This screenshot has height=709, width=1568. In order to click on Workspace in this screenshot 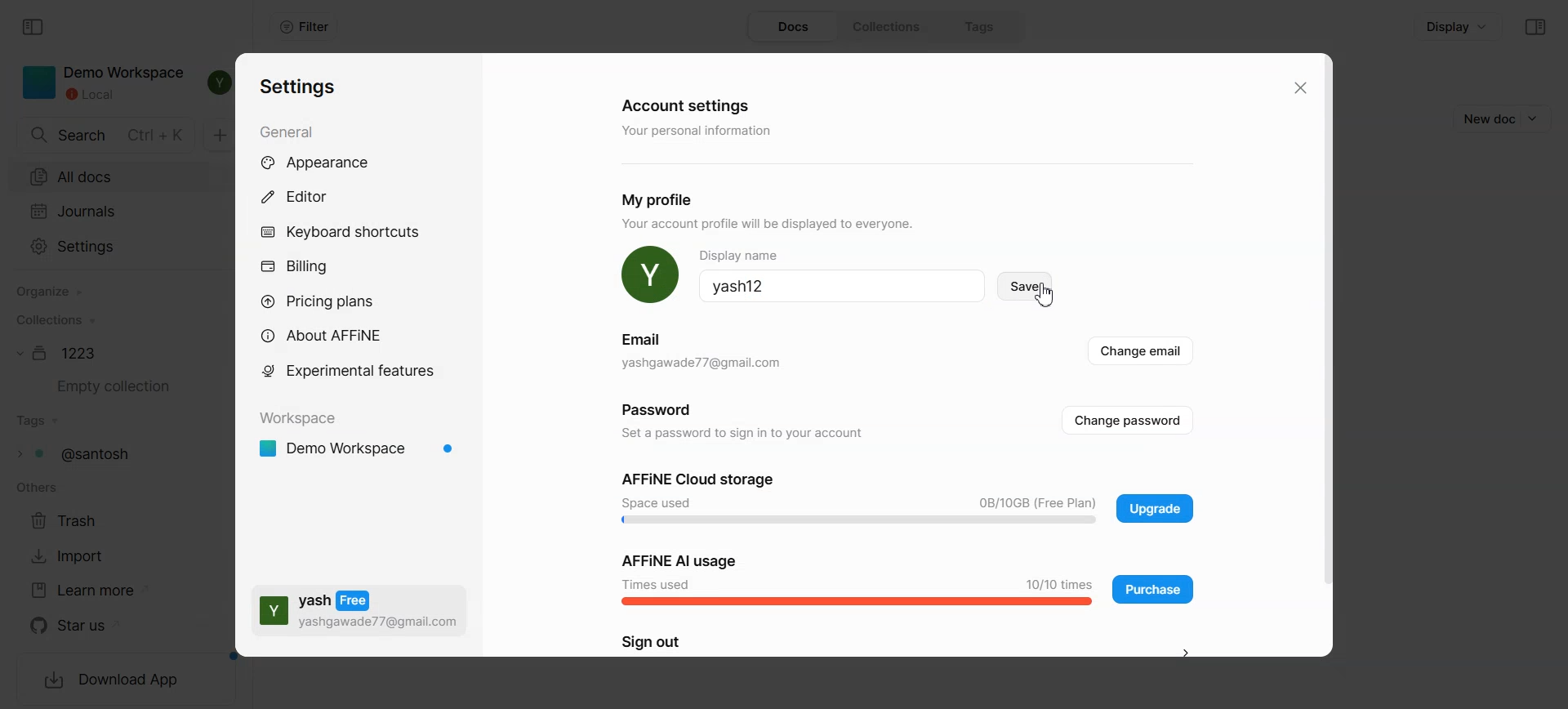, I will do `click(303, 419)`.